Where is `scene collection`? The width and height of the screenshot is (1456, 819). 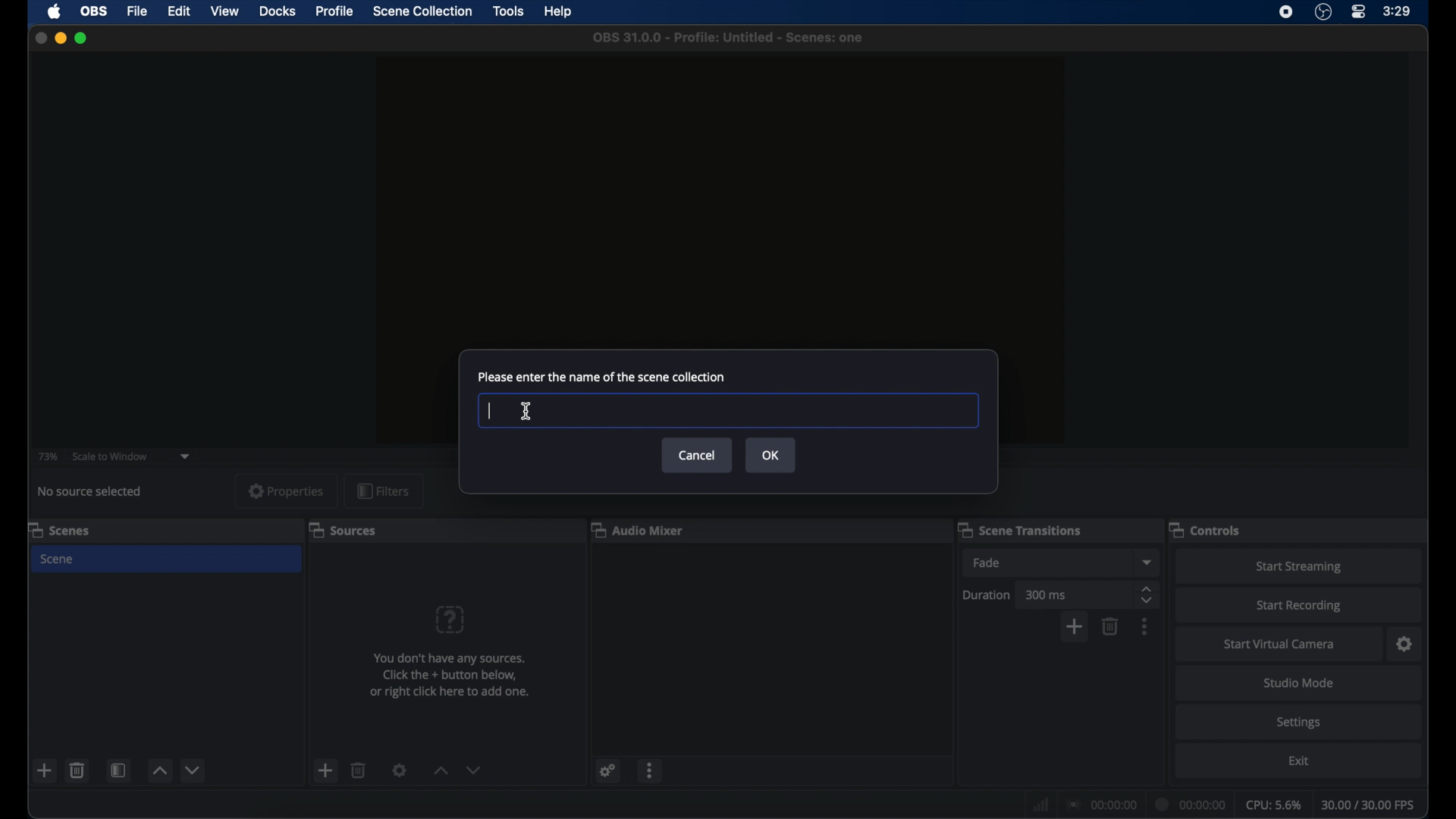
scene collection is located at coordinates (423, 11).